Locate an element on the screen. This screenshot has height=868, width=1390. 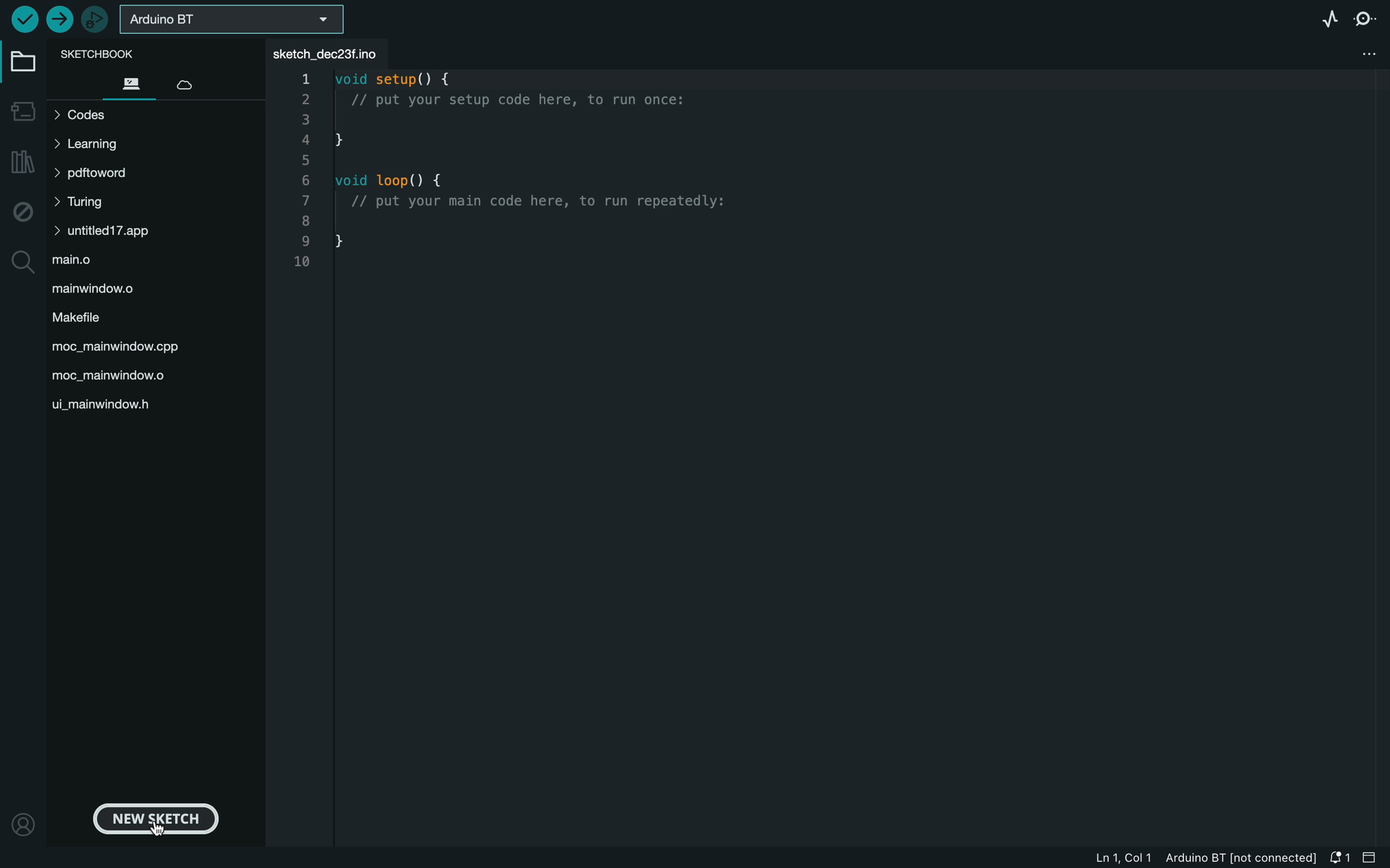
moc is located at coordinates (114, 375).